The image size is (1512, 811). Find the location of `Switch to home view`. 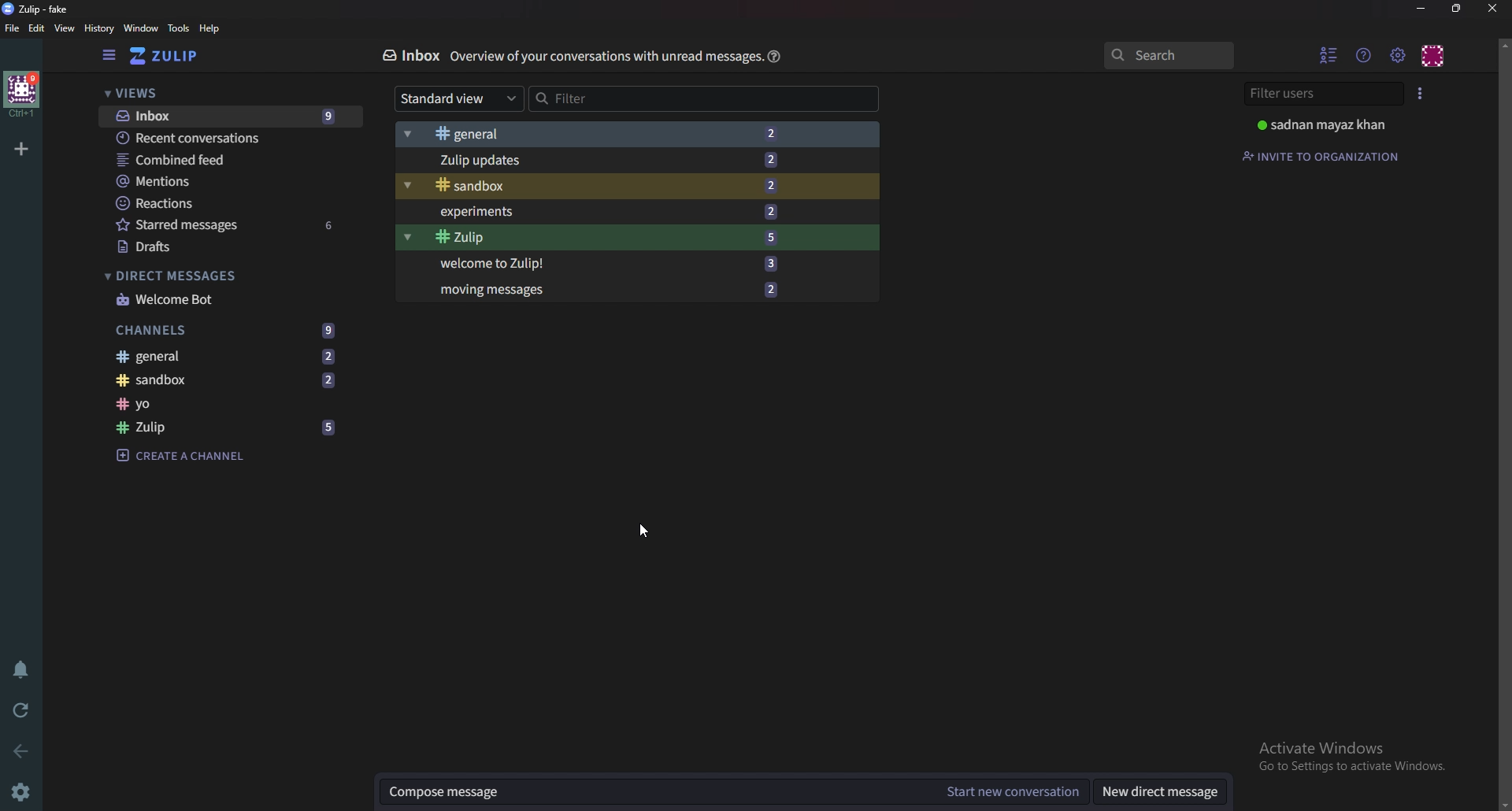

Switch to home view is located at coordinates (165, 55).